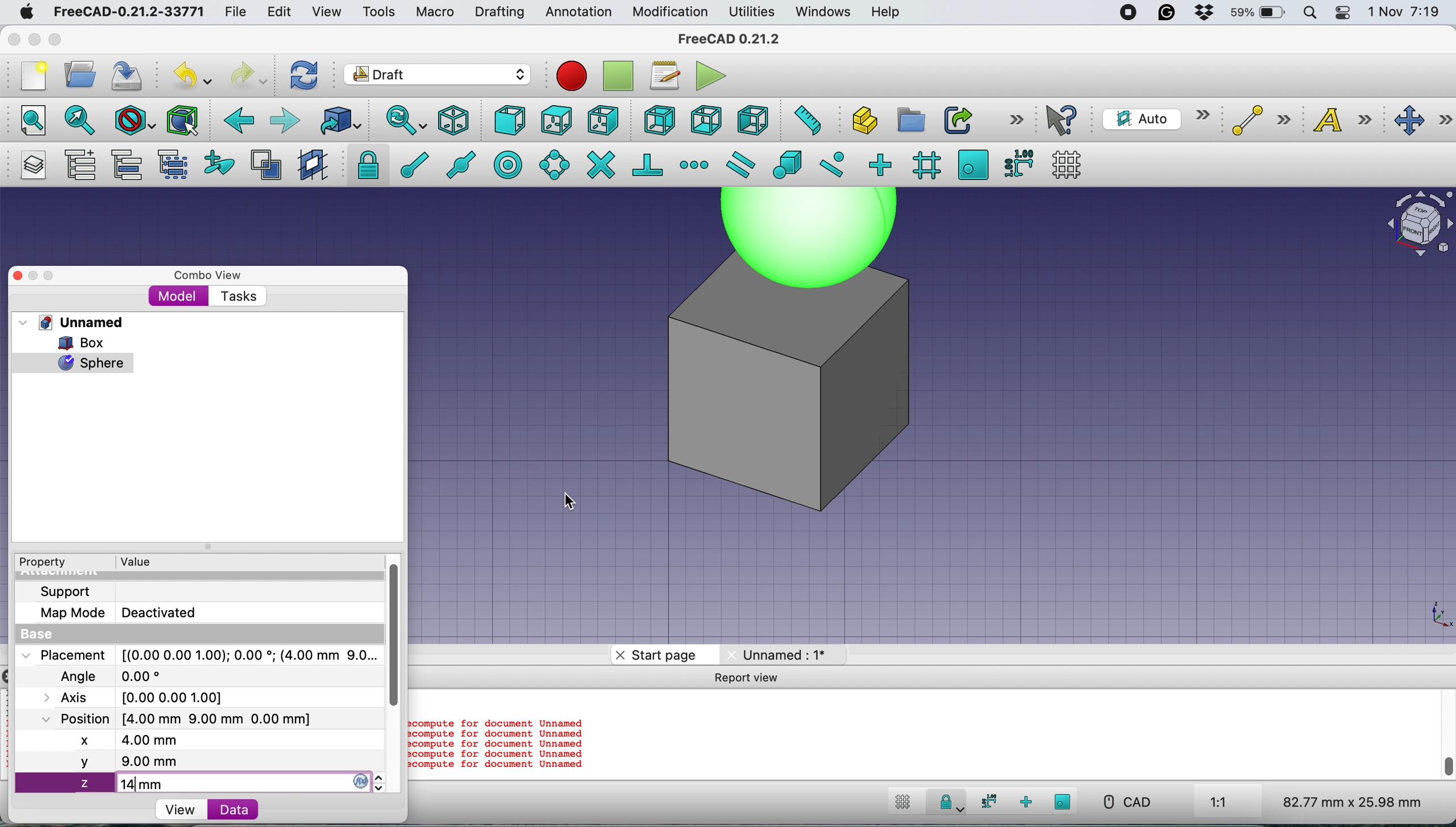  I want to click on aspect ratio, so click(1219, 803).